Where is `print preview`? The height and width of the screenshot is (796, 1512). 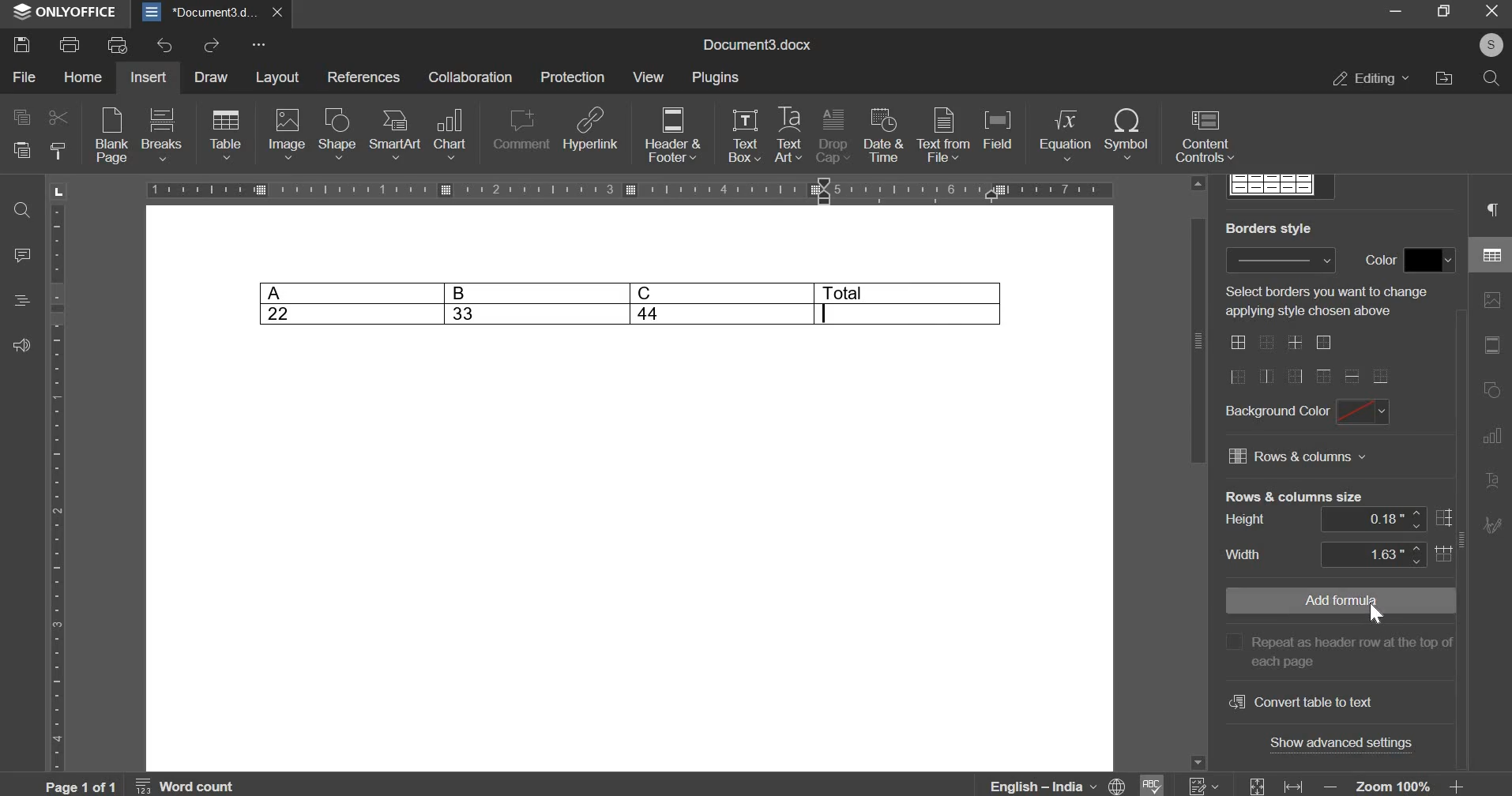
print preview is located at coordinates (119, 43).